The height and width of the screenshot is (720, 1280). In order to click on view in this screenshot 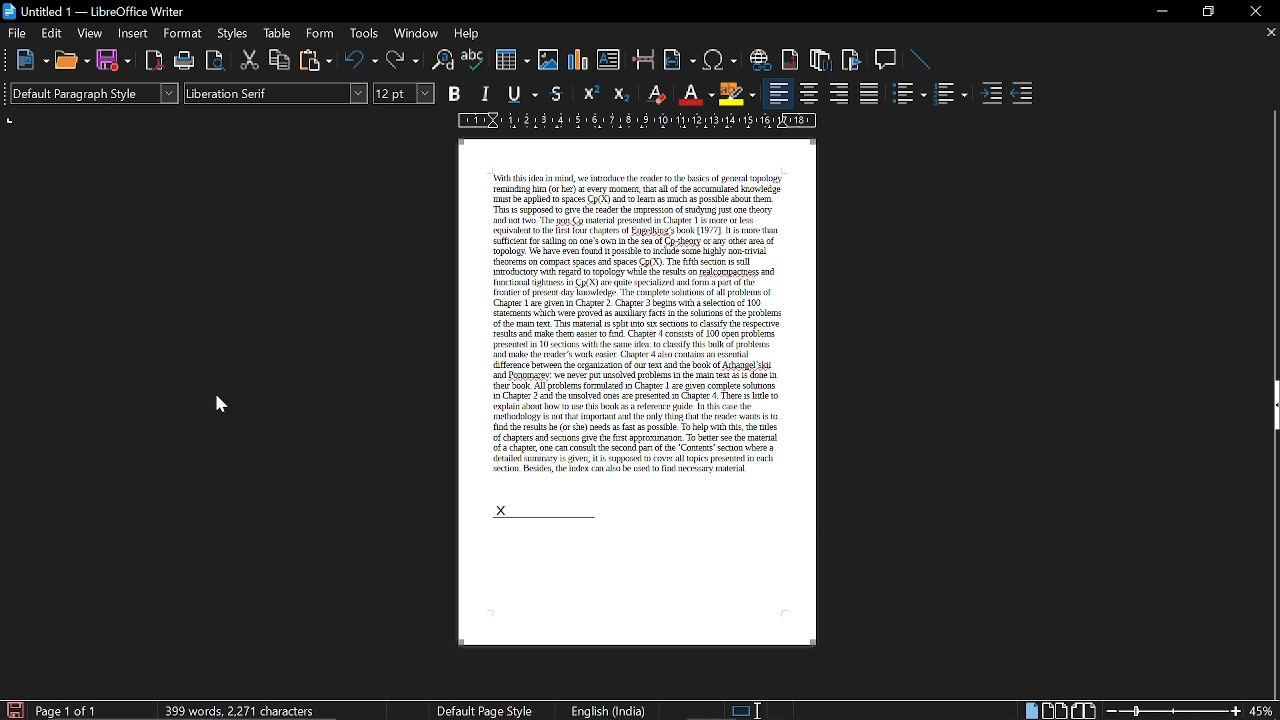, I will do `click(90, 32)`.